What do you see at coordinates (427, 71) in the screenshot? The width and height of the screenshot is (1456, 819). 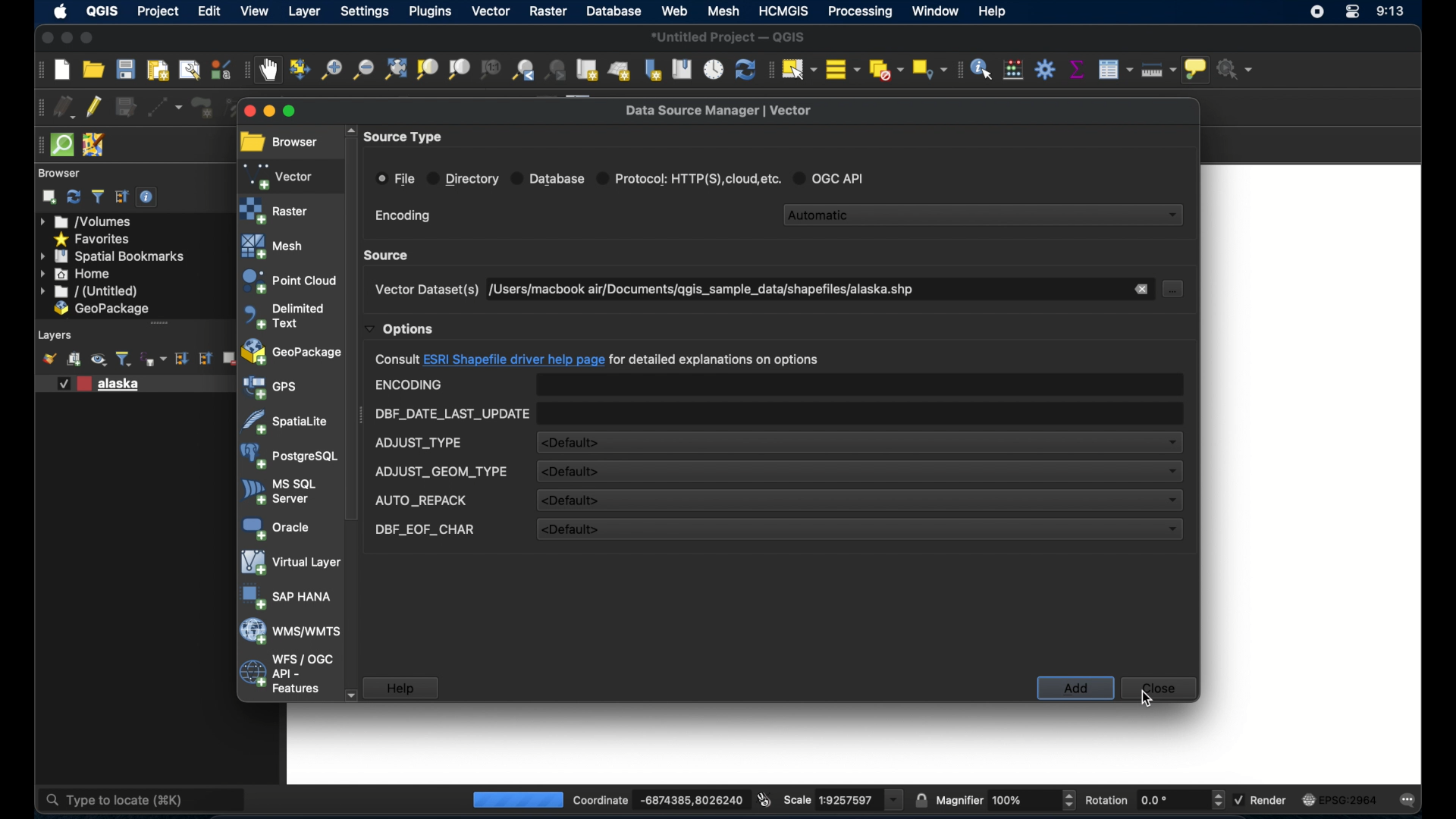 I see `zoom to selection` at bounding box center [427, 71].